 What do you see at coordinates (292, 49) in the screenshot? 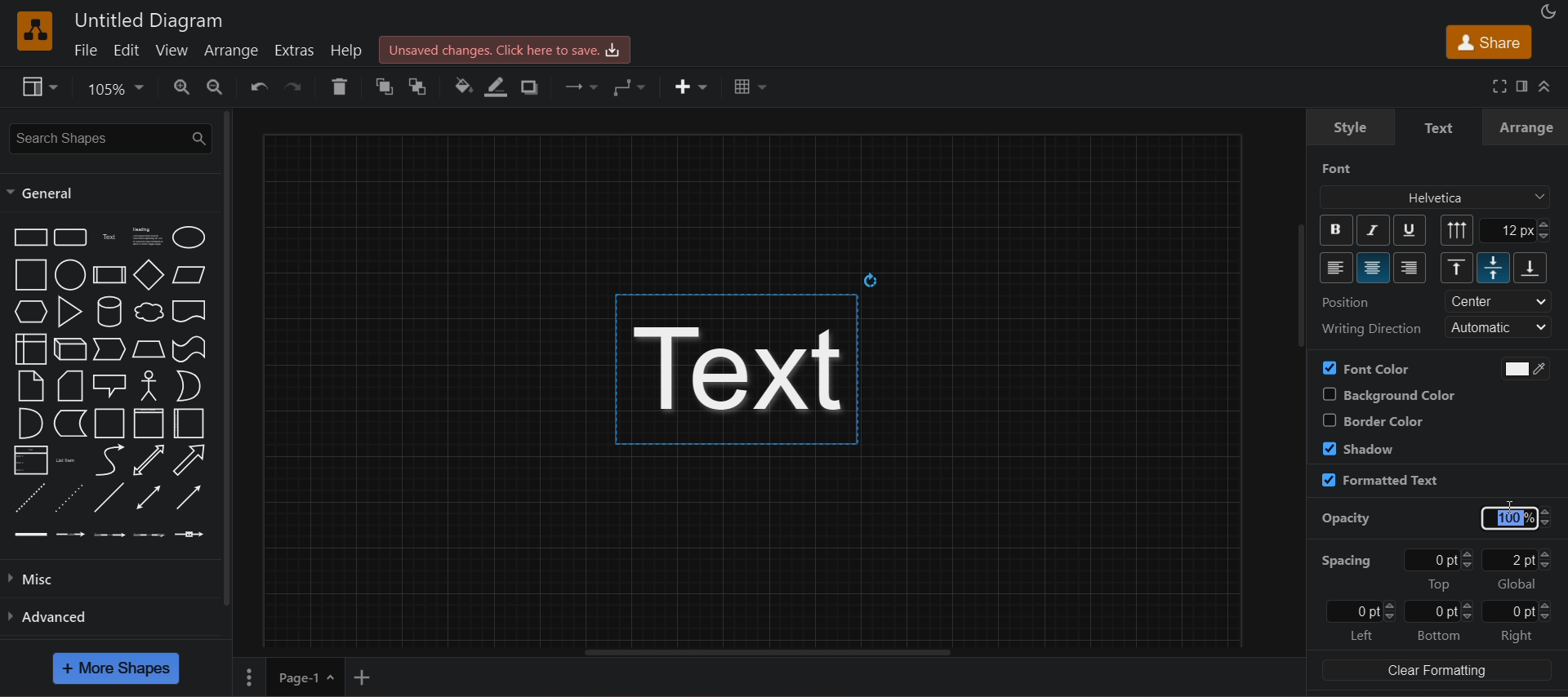
I see `extras` at bounding box center [292, 49].